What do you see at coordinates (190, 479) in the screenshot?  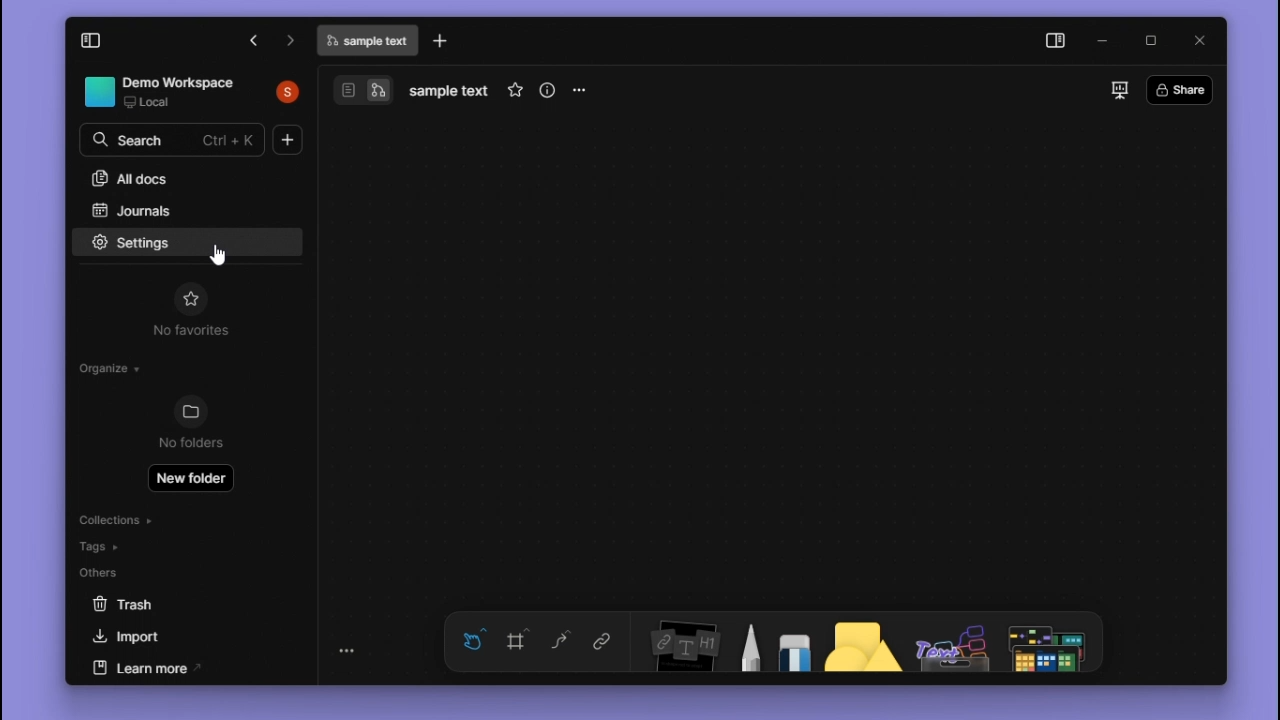 I see `new folder` at bounding box center [190, 479].